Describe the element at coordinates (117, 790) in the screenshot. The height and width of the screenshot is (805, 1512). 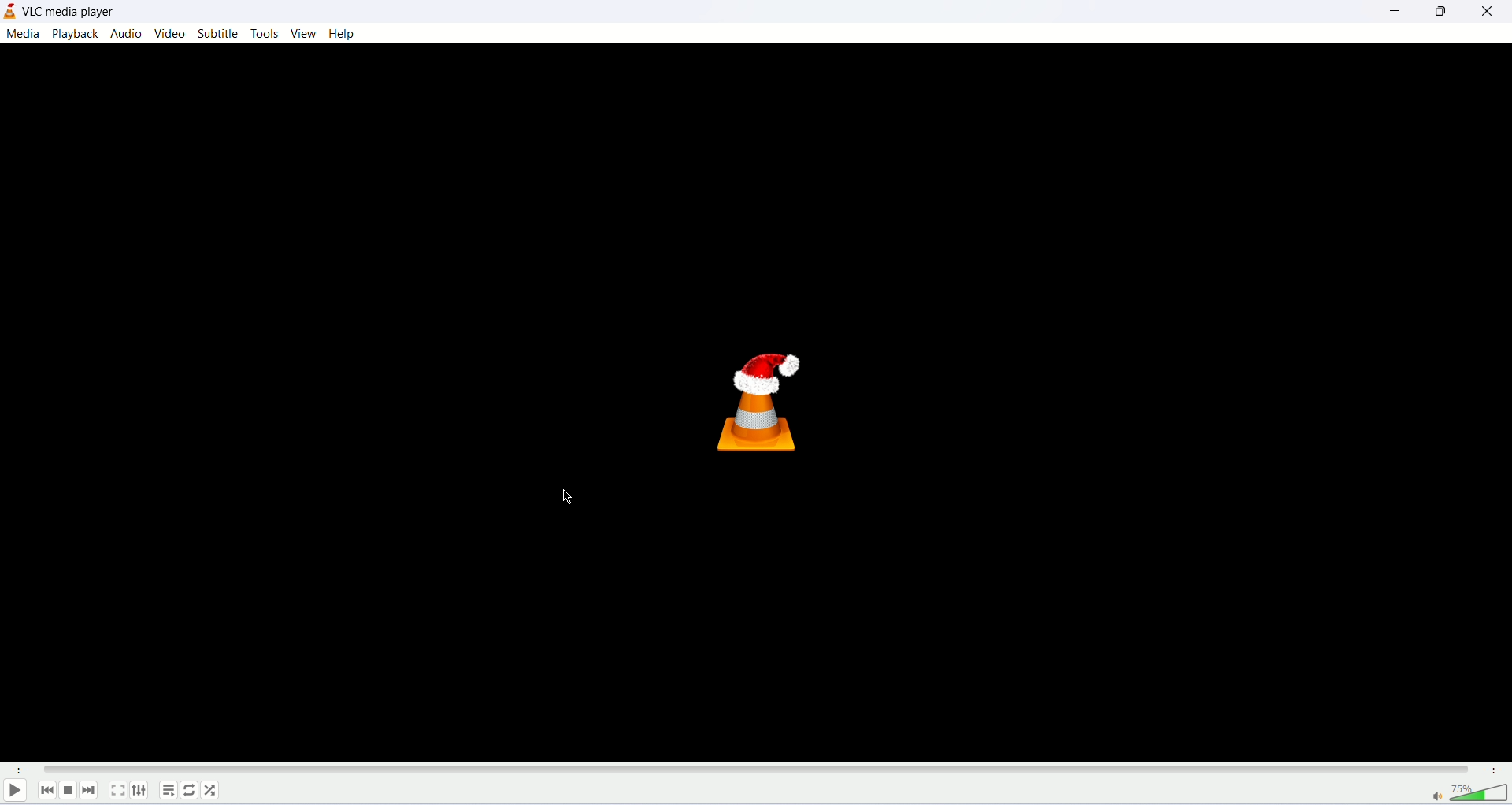
I see `fullscreen` at that location.